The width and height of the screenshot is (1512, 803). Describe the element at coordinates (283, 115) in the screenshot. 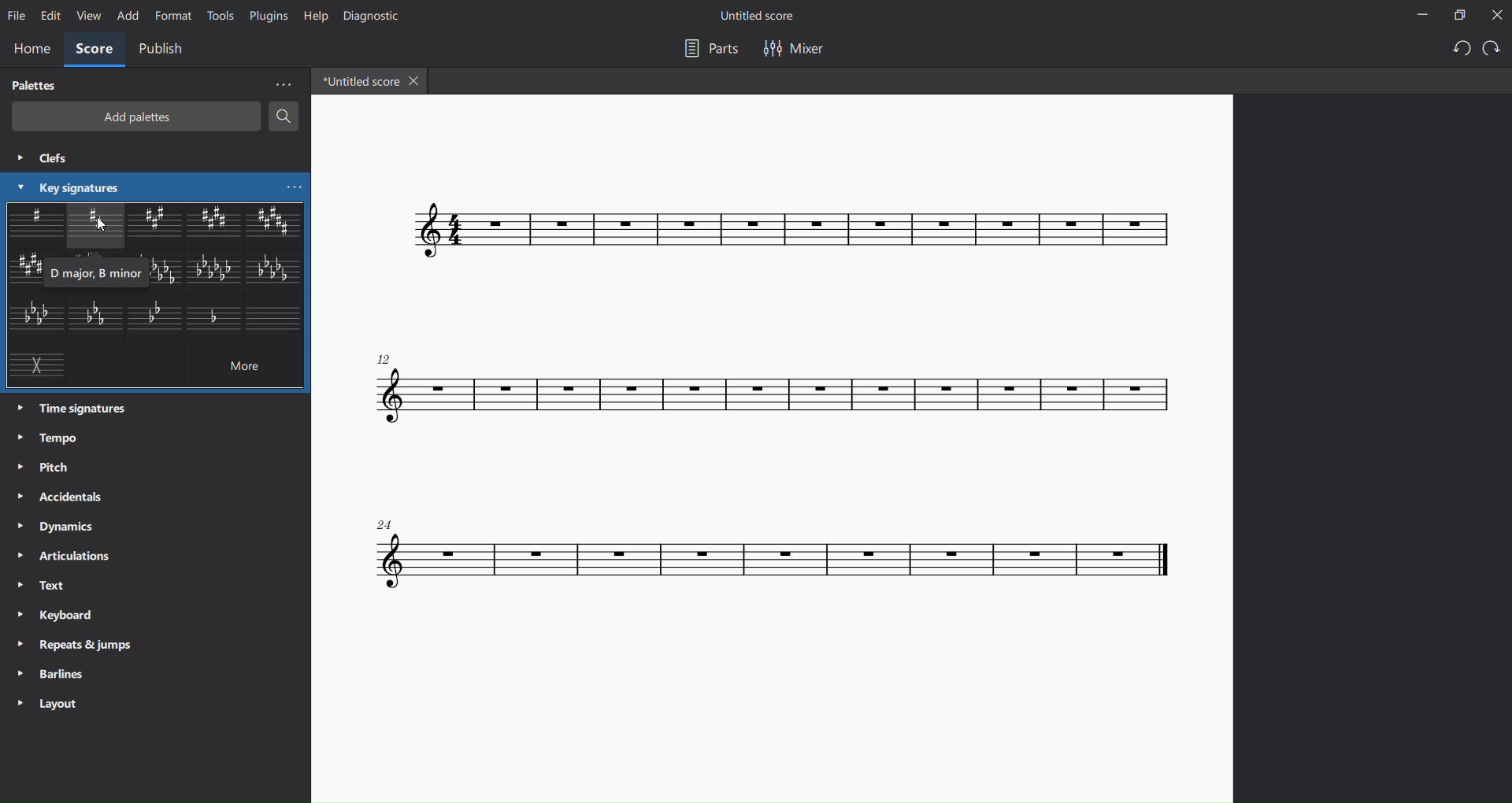

I see `search` at that location.